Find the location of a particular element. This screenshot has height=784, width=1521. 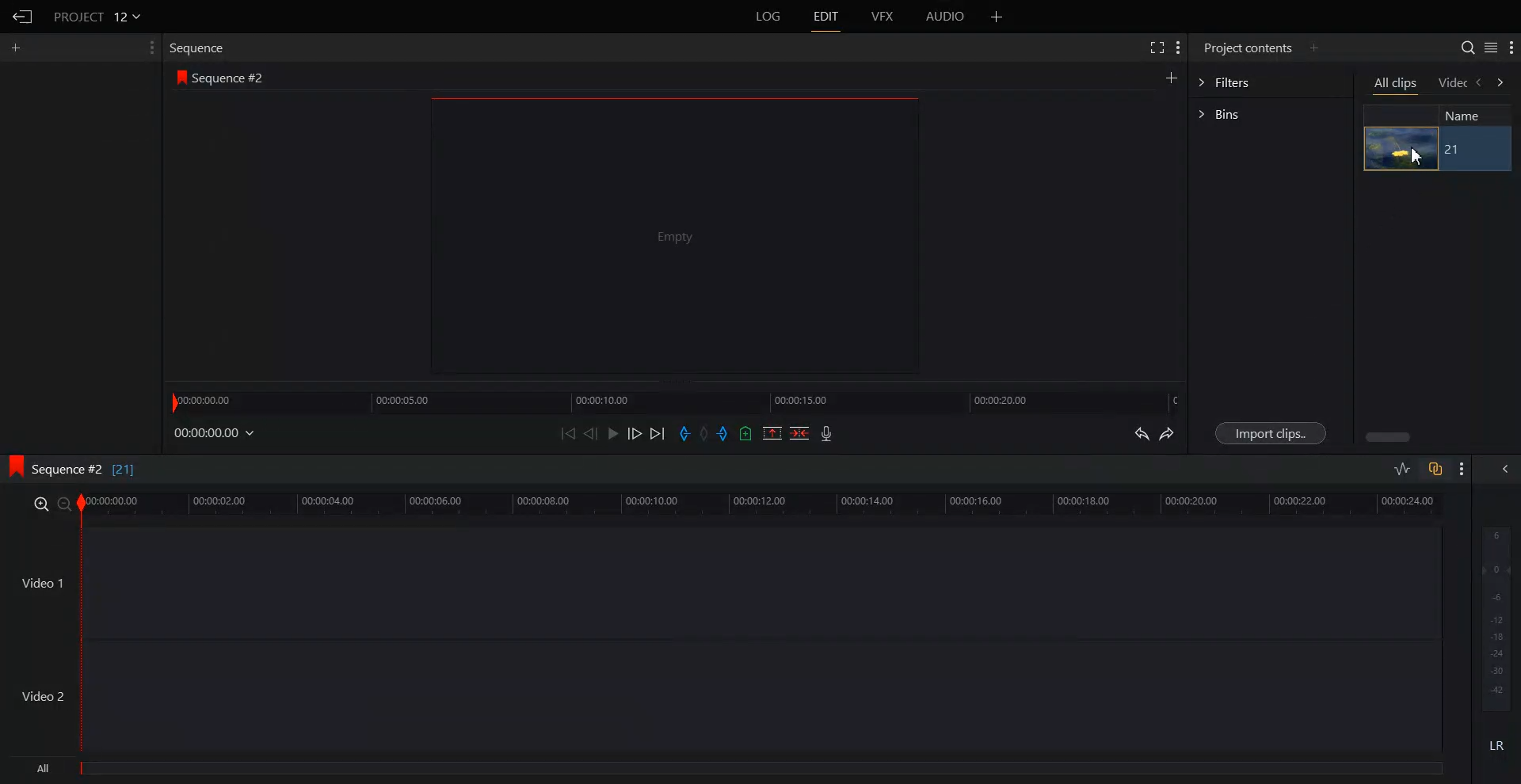

Search is located at coordinates (1468, 47).